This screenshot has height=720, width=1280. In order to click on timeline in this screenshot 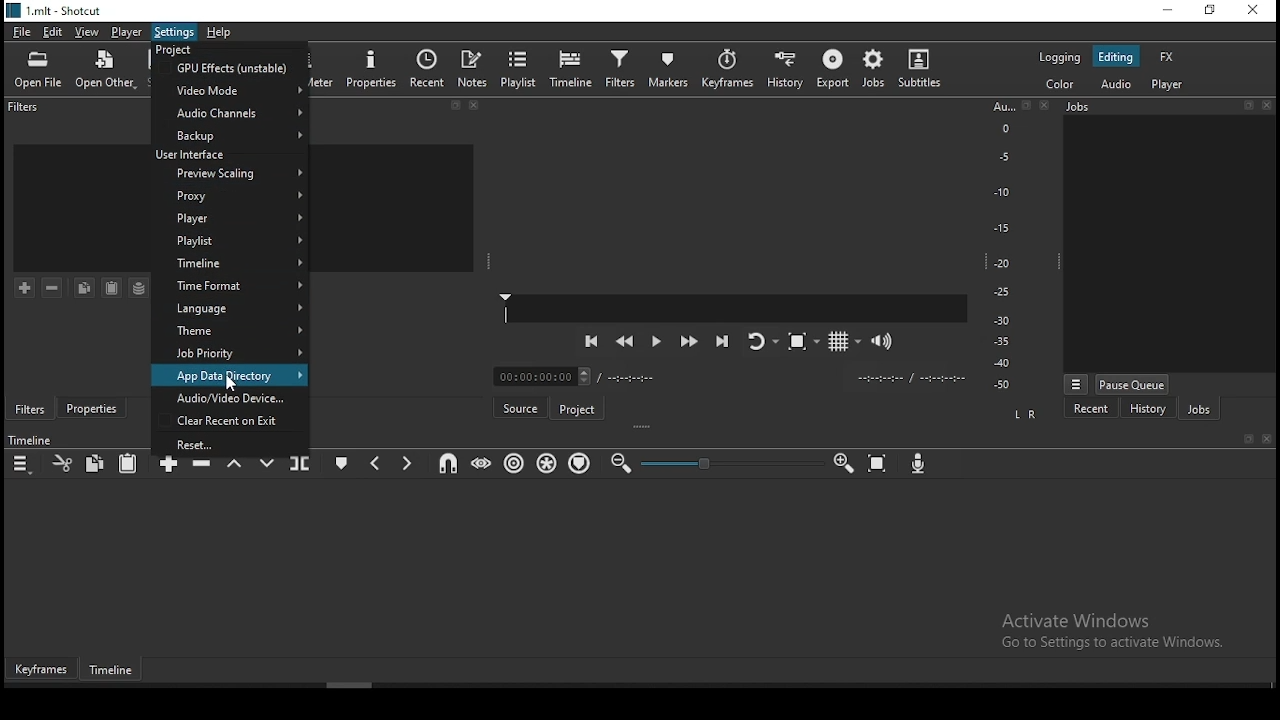, I will do `click(571, 67)`.